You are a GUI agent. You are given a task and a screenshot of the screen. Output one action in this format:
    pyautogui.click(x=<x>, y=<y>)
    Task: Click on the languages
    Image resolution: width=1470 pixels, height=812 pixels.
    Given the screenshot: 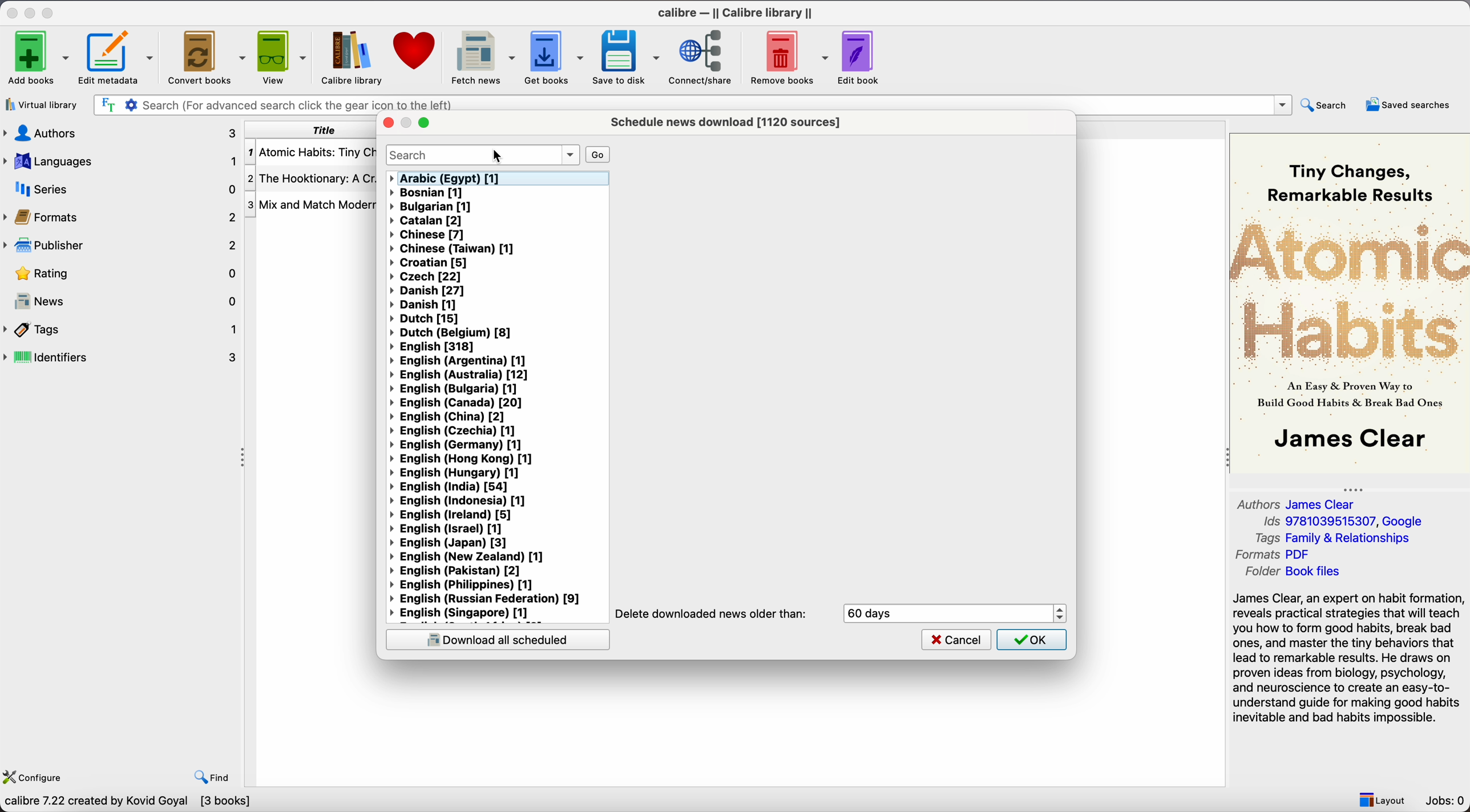 What is the action you would take?
    pyautogui.click(x=122, y=161)
    